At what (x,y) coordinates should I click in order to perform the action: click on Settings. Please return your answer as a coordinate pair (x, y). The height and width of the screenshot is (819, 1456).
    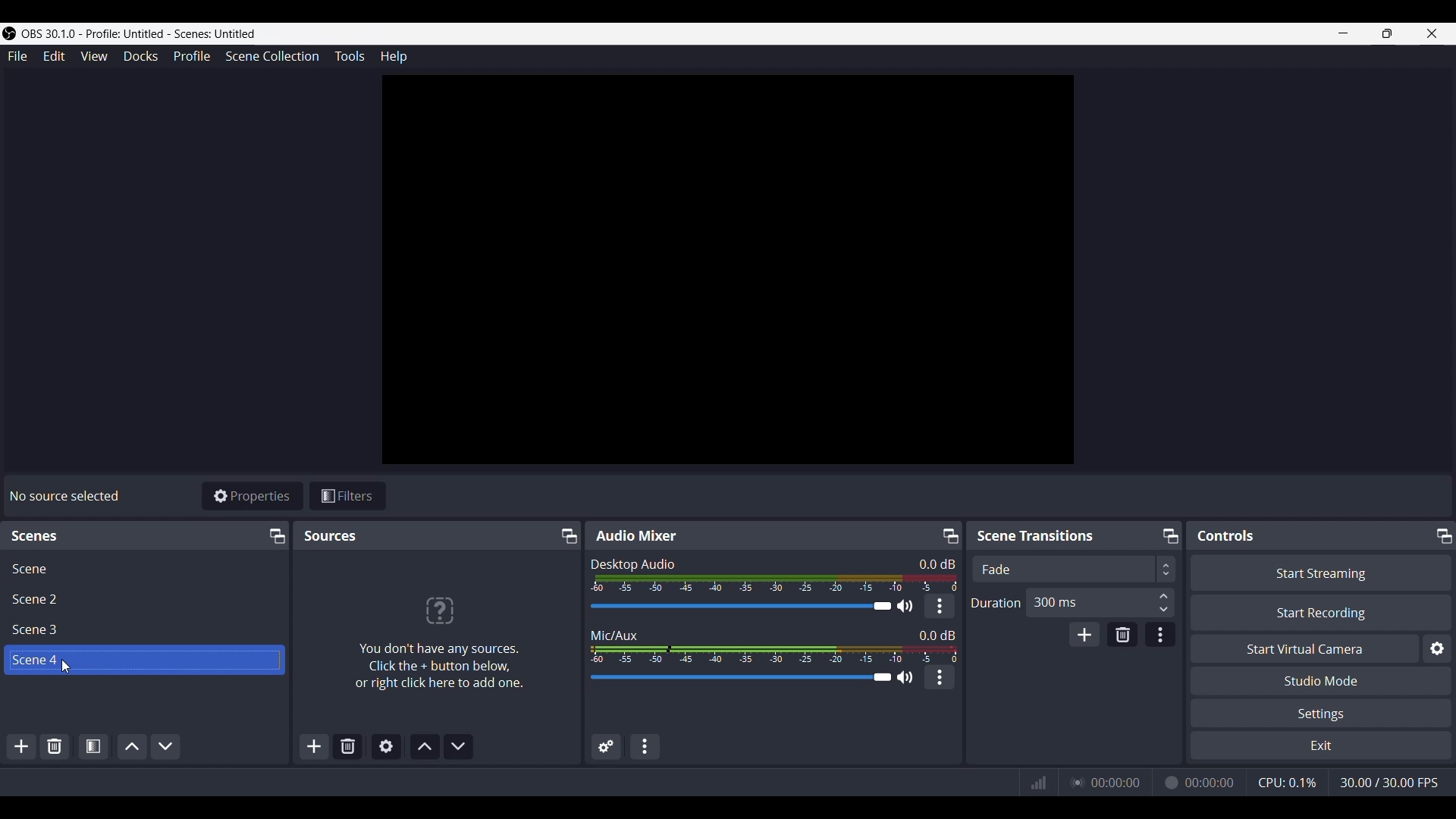
    Looking at the image, I should click on (1324, 714).